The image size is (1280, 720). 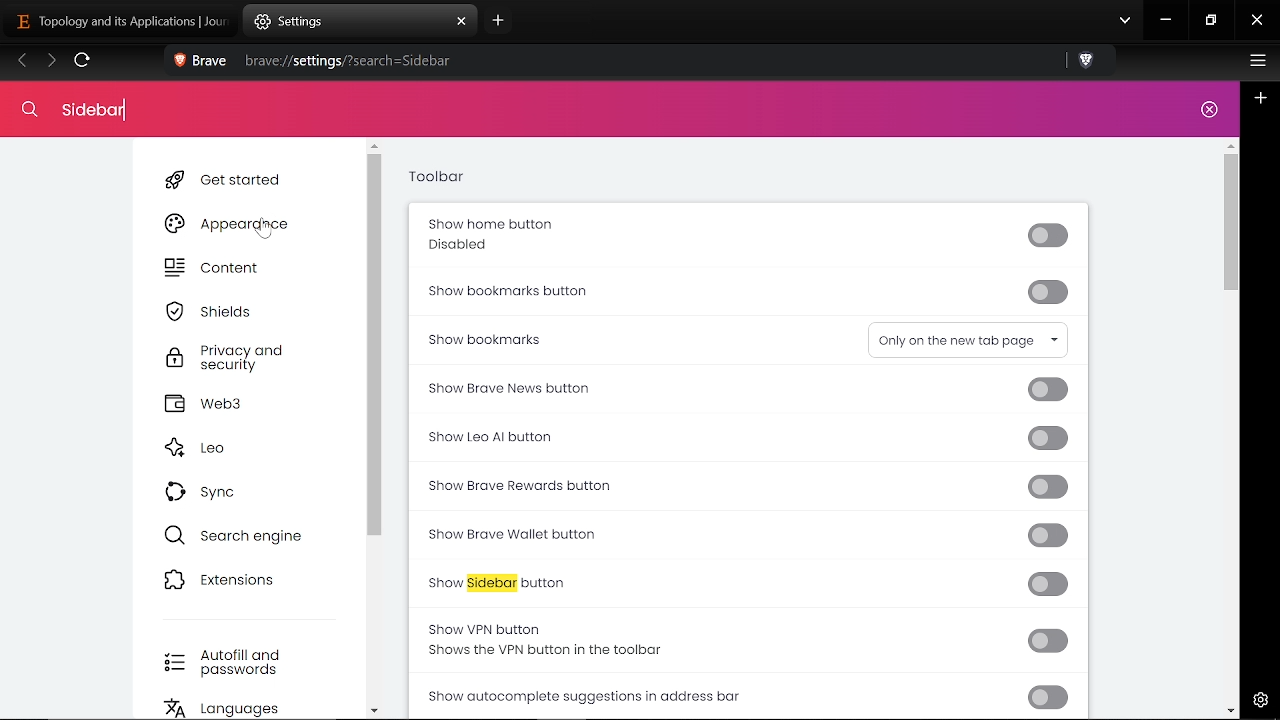 What do you see at coordinates (750, 695) in the screenshot?
I see `Show autocomplete suggestions in address bar` at bounding box center [750, 695].